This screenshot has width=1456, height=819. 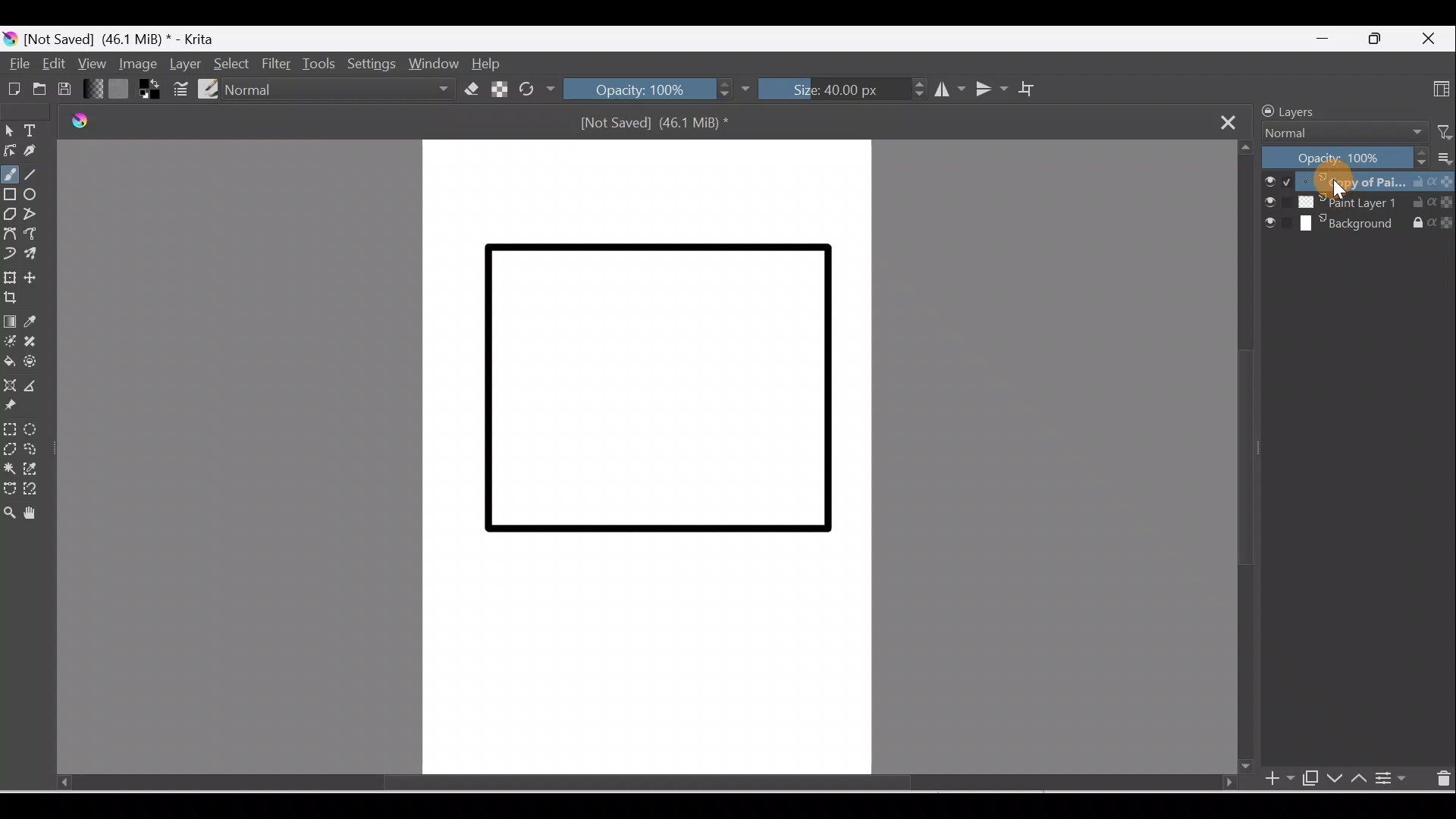 What do you see at coordinates (11, 198) in the screenshot?
I see `Rectangle tool` at bounding box center [11, 198].